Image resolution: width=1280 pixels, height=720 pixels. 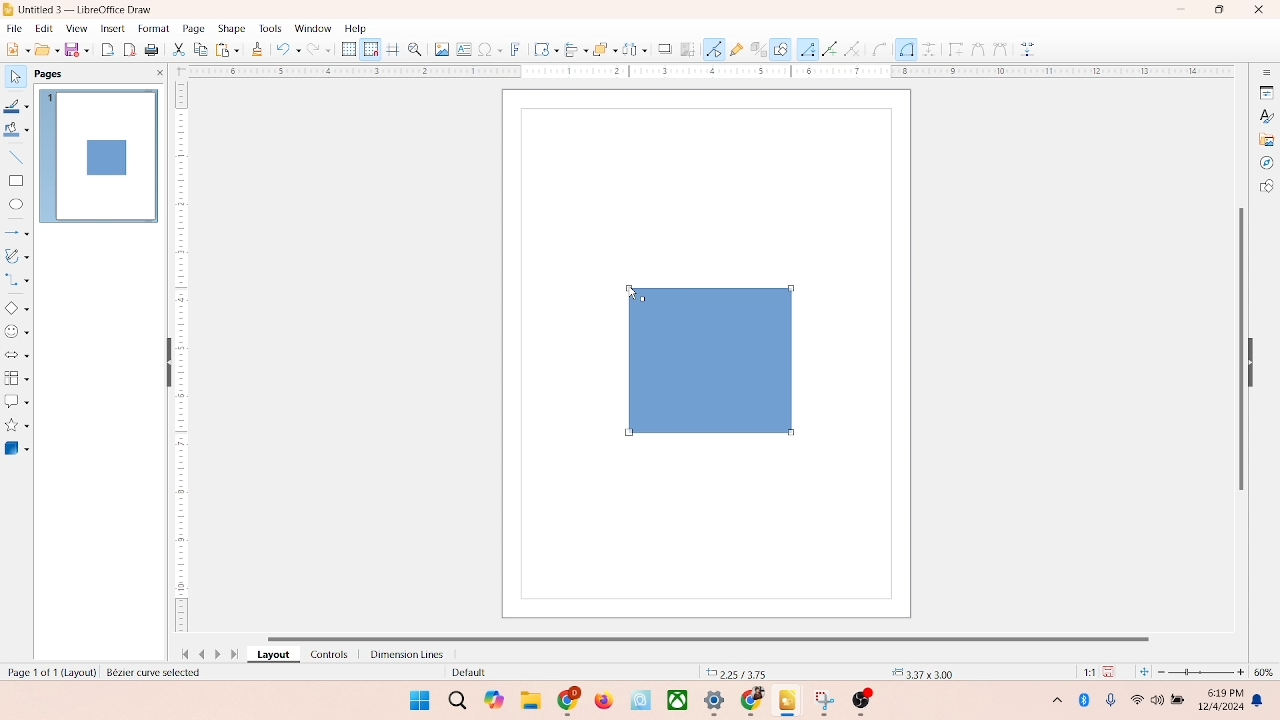 What do you see at coordinates (16, 180) in the screenshot?
I see `rectangle` at bounding box center [16, 180].